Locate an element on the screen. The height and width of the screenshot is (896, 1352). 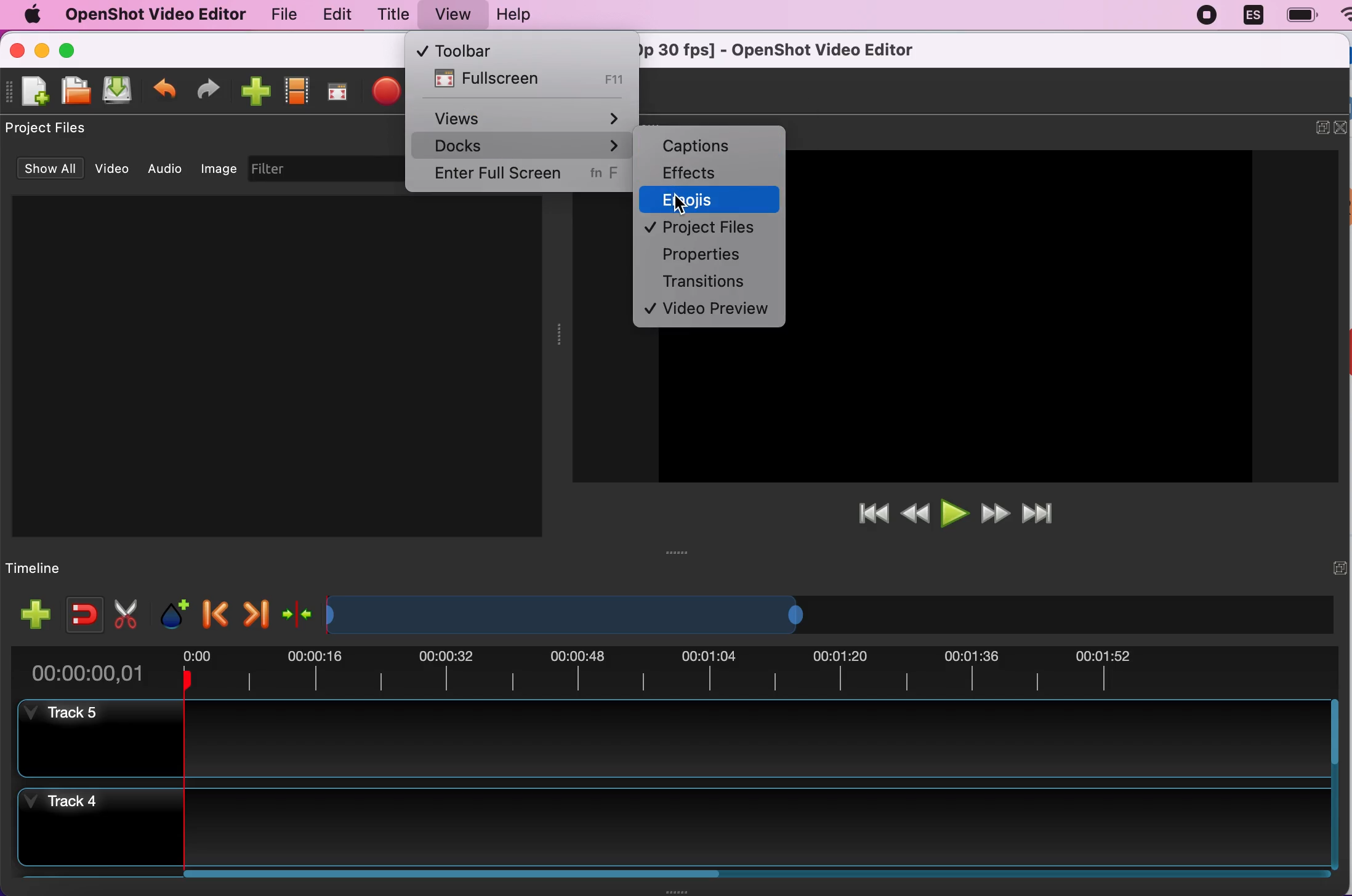
wifi is located at coordinates (1343, 20).